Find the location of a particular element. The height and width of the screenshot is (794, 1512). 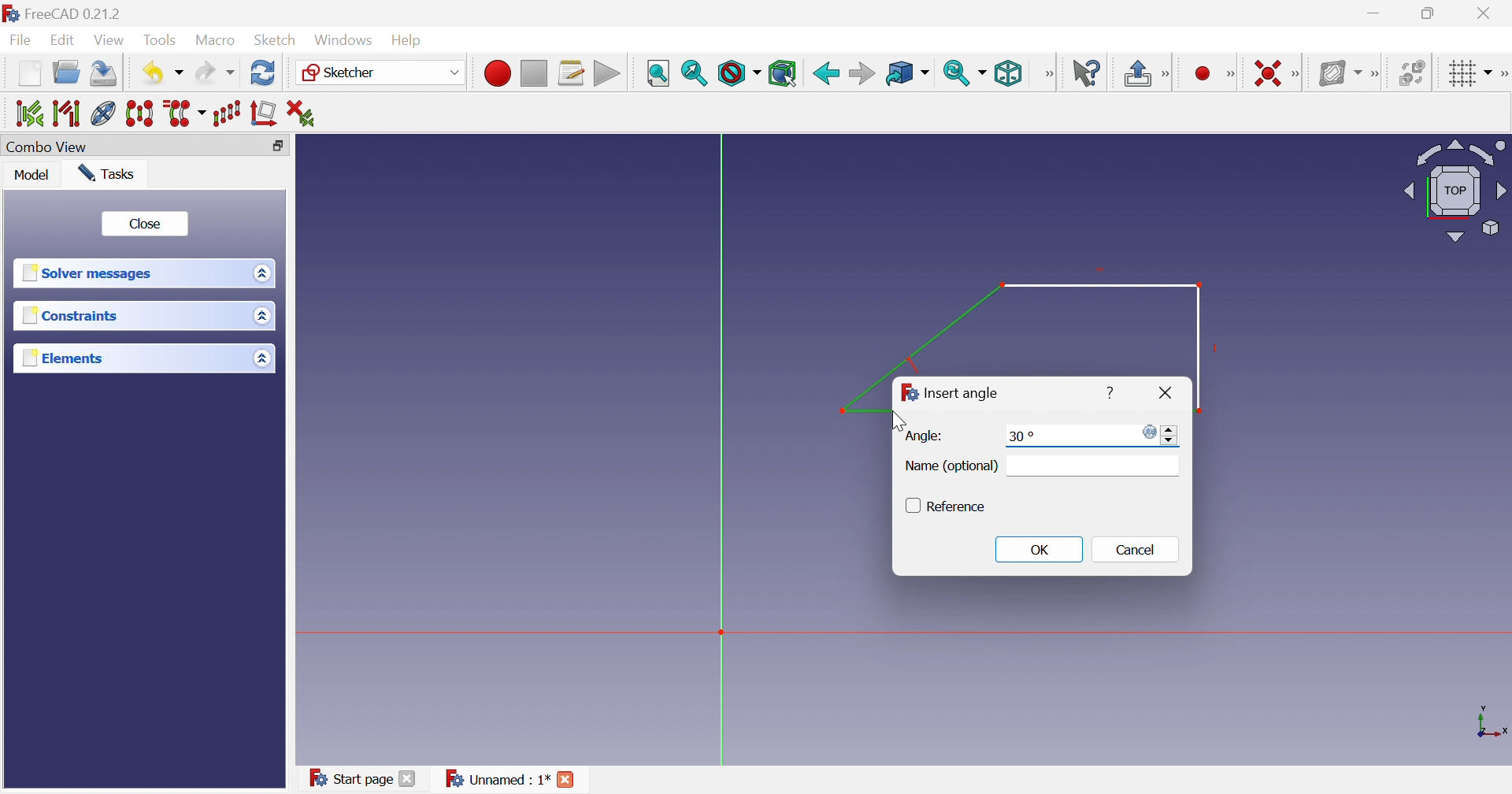

30 ° is located at coordinates (1023, 436).